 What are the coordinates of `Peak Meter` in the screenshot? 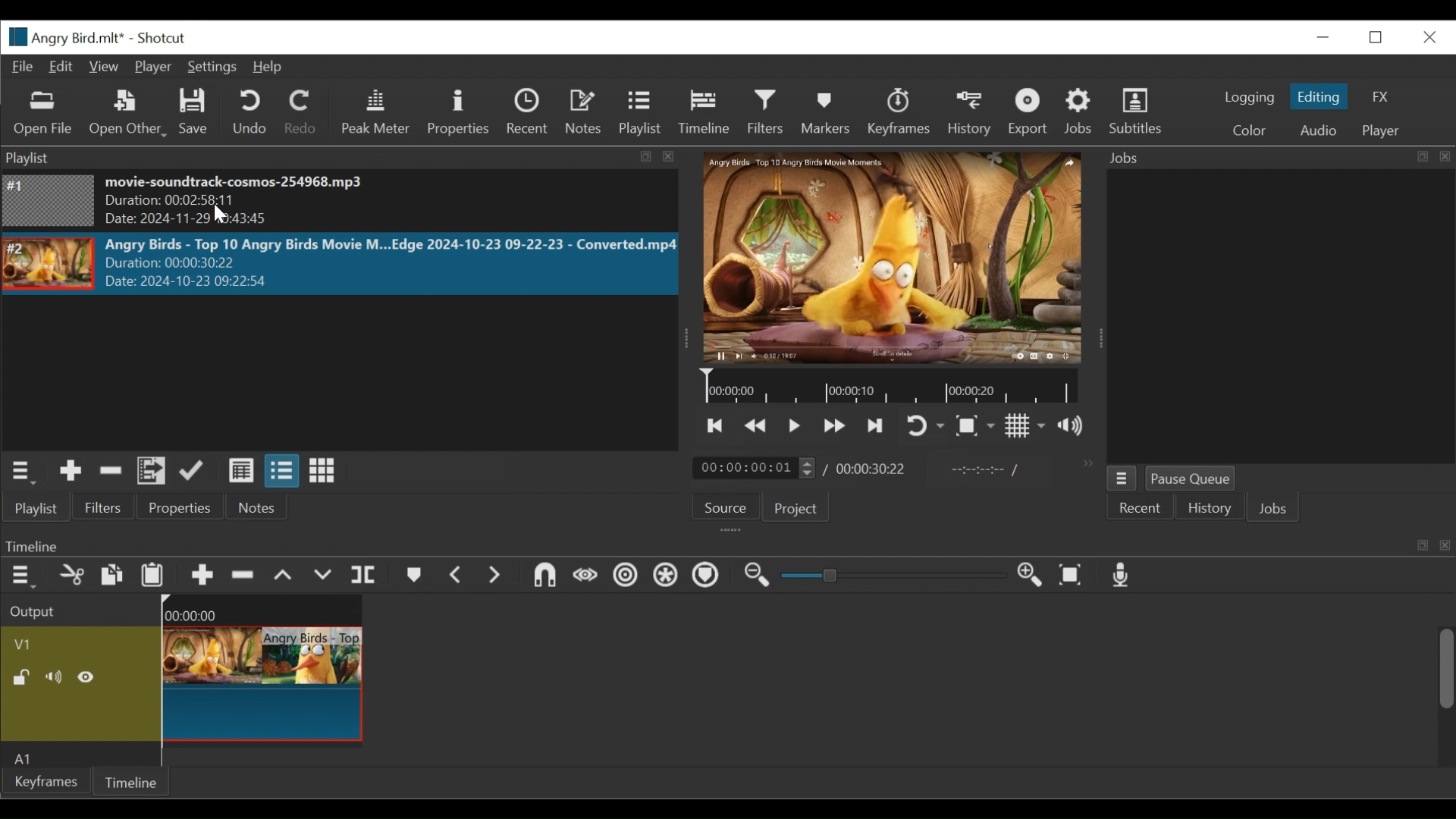 It's located at (375, 114).